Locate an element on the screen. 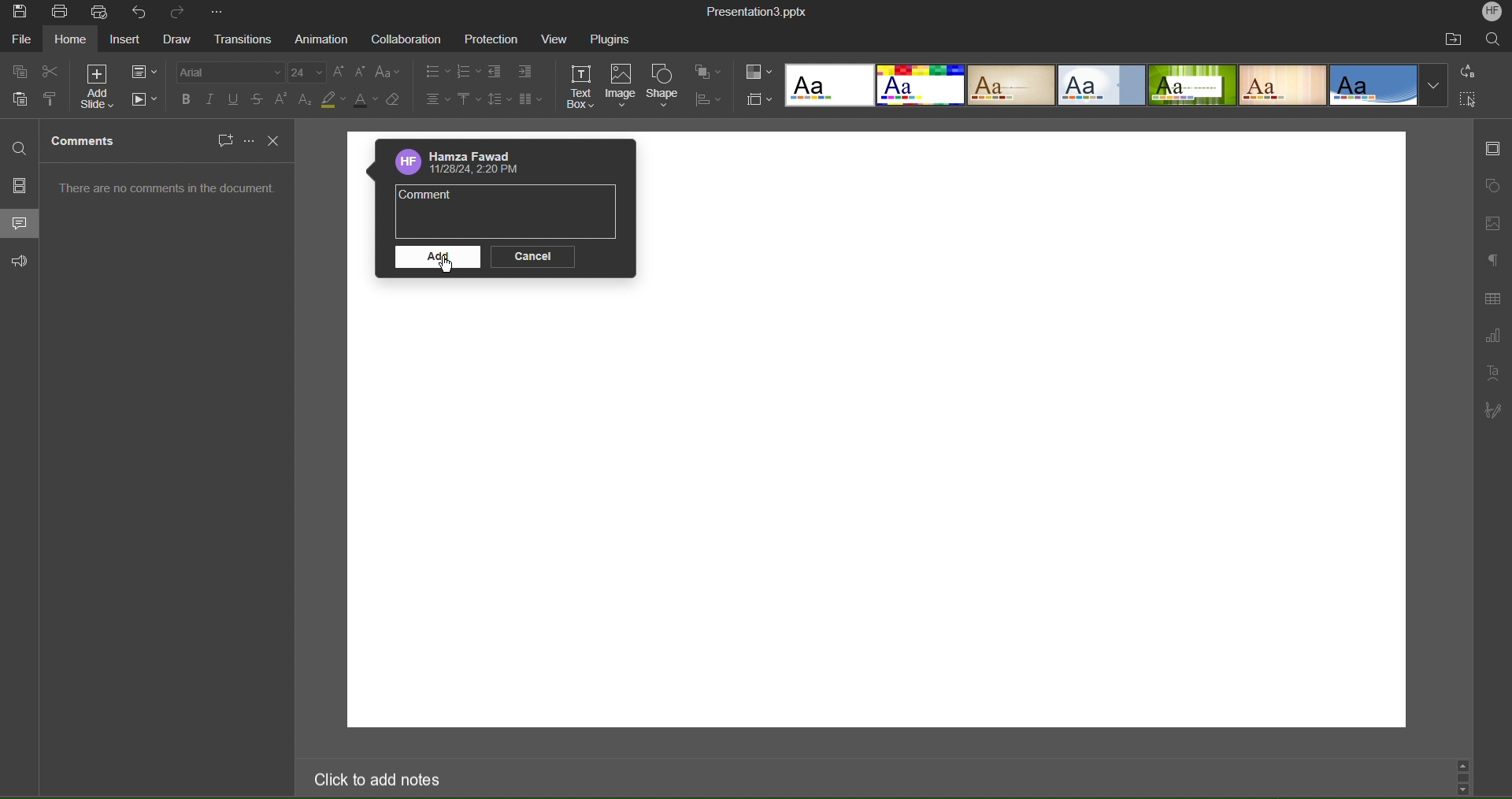 The height and width of the screenshot is (799, 1512). Slide Settings is located at coordinates (1494, 149).